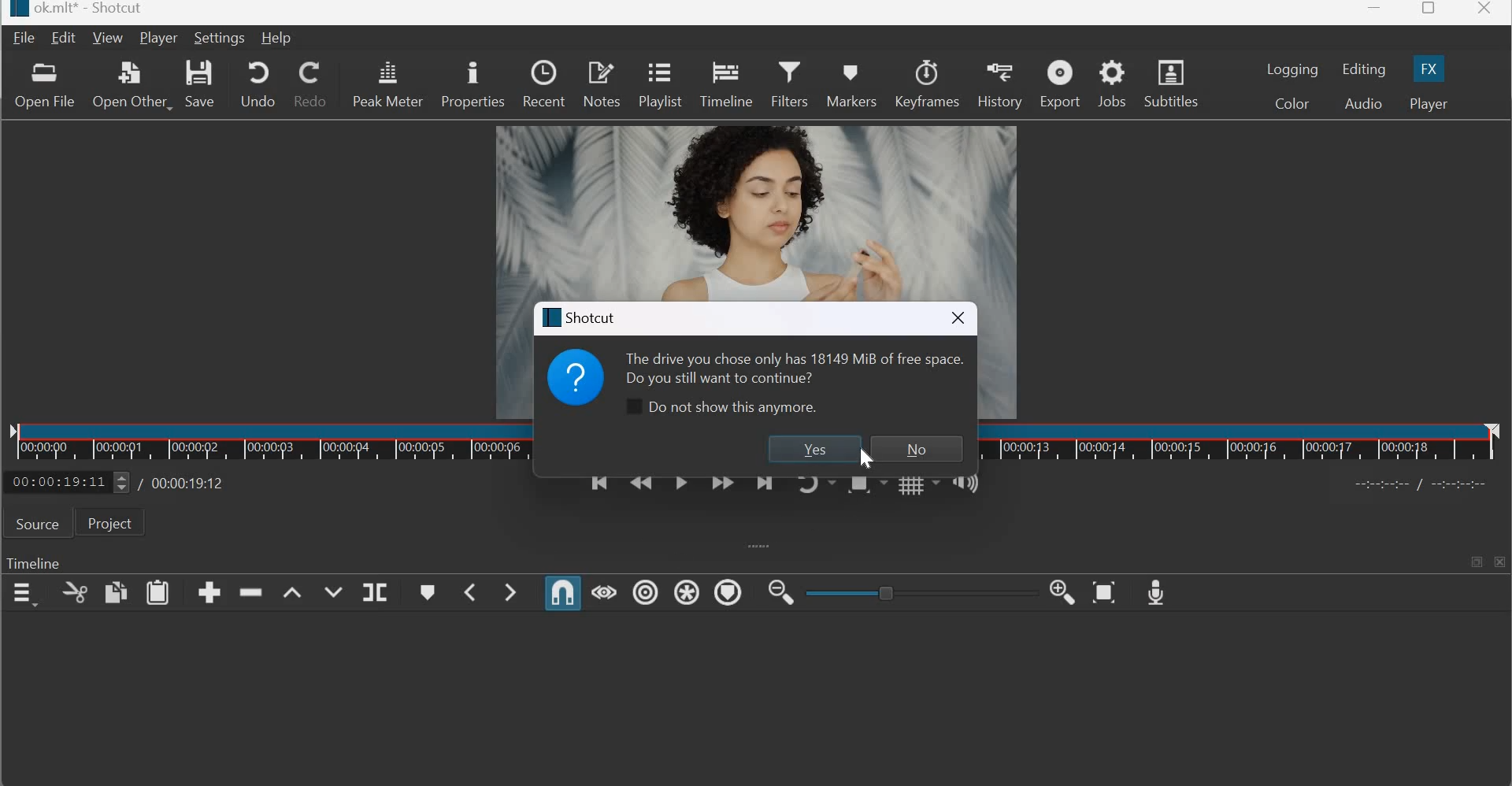 The image size is (1512, 786). Describe the element at coordinates (913, 591) in the screenshot. I see `toggle` at that location.